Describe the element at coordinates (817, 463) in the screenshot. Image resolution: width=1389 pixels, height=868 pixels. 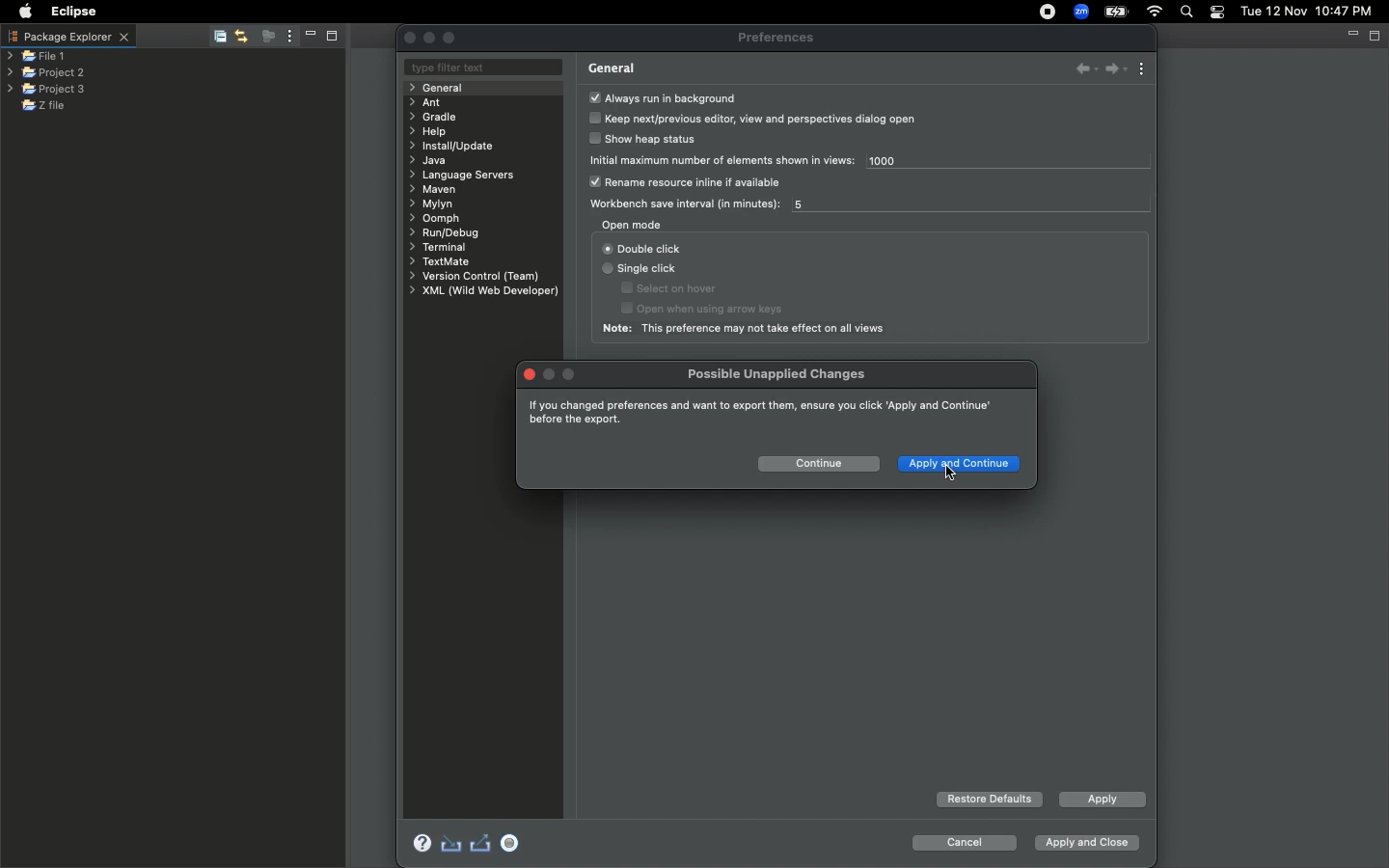
I see `Continue` at that location.